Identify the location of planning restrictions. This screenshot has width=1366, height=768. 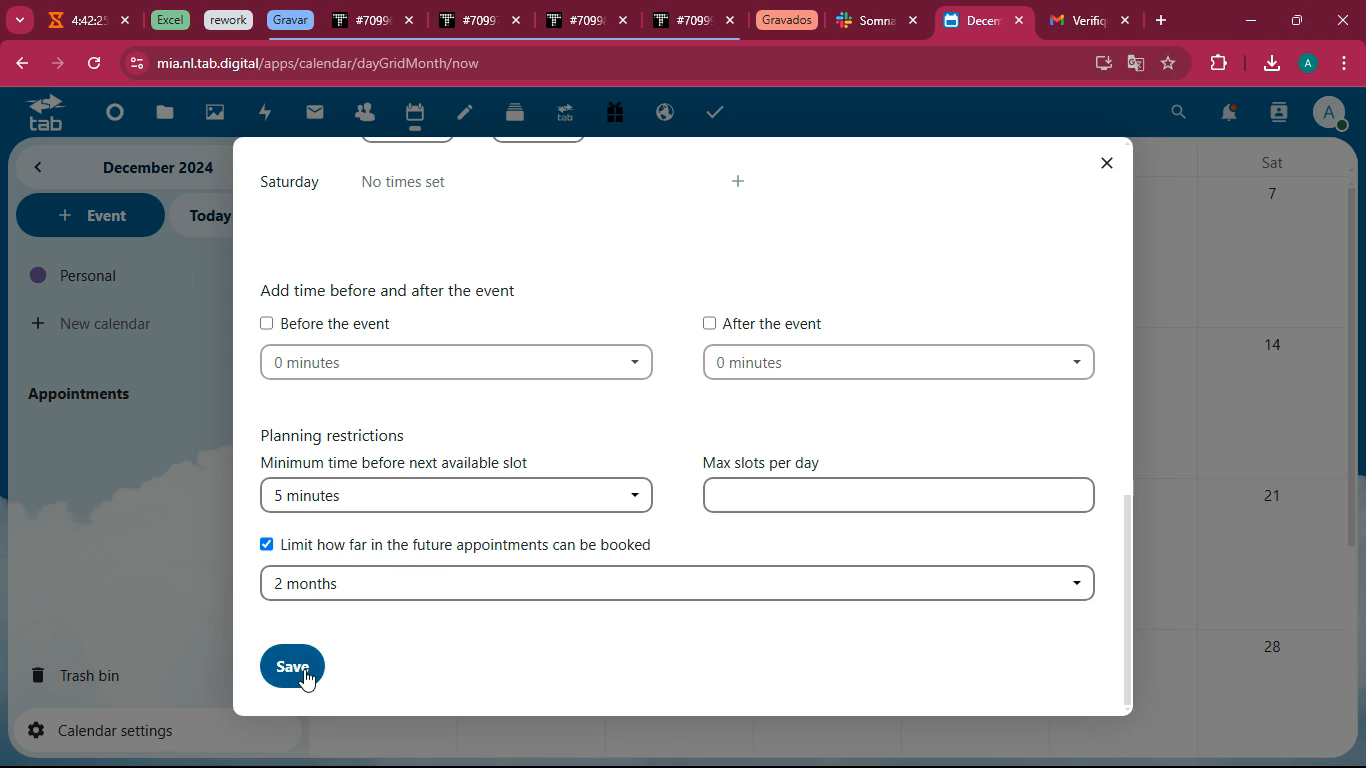
(345, 433).